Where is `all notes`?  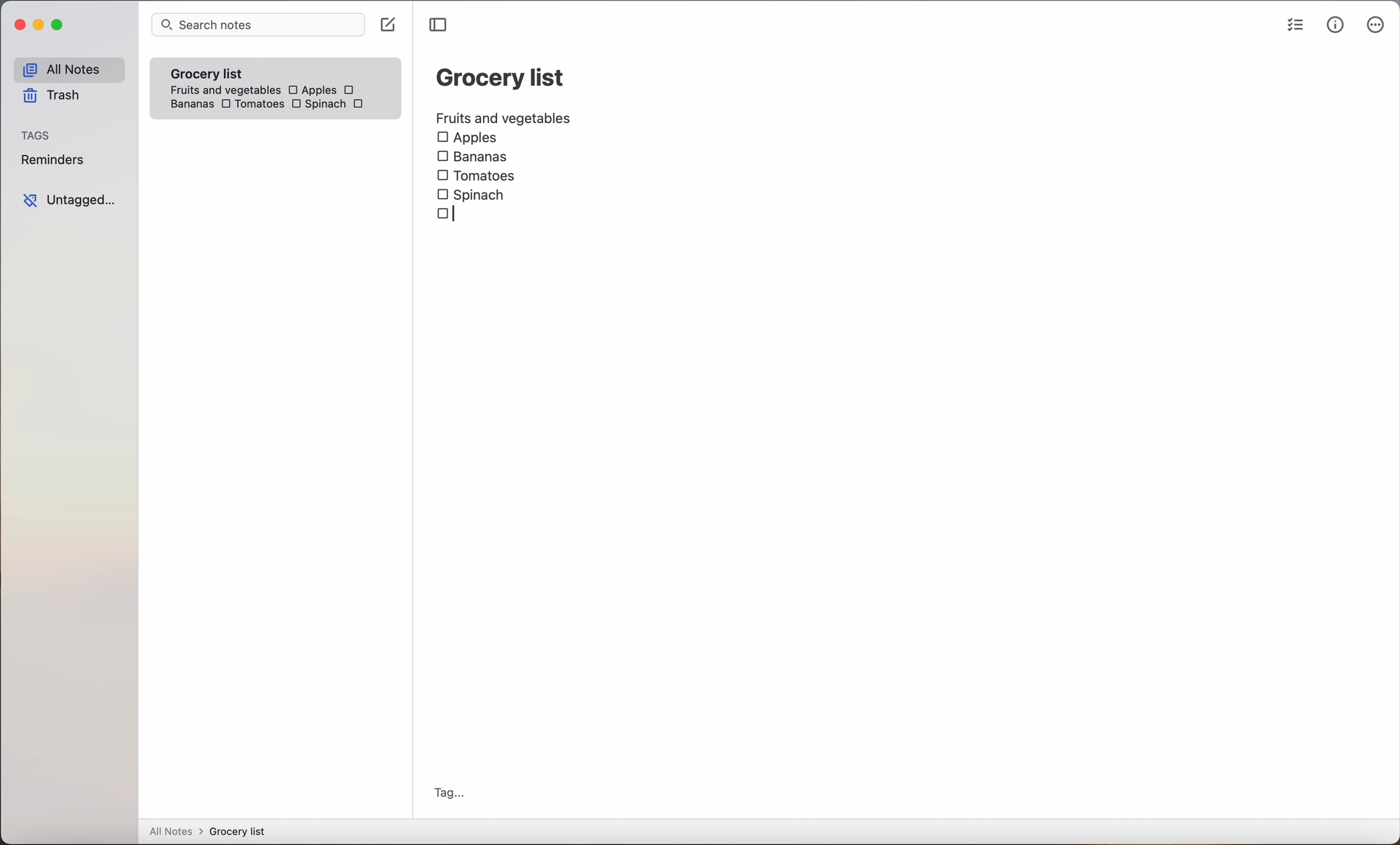
all notes is located at coordinates (68, 70).